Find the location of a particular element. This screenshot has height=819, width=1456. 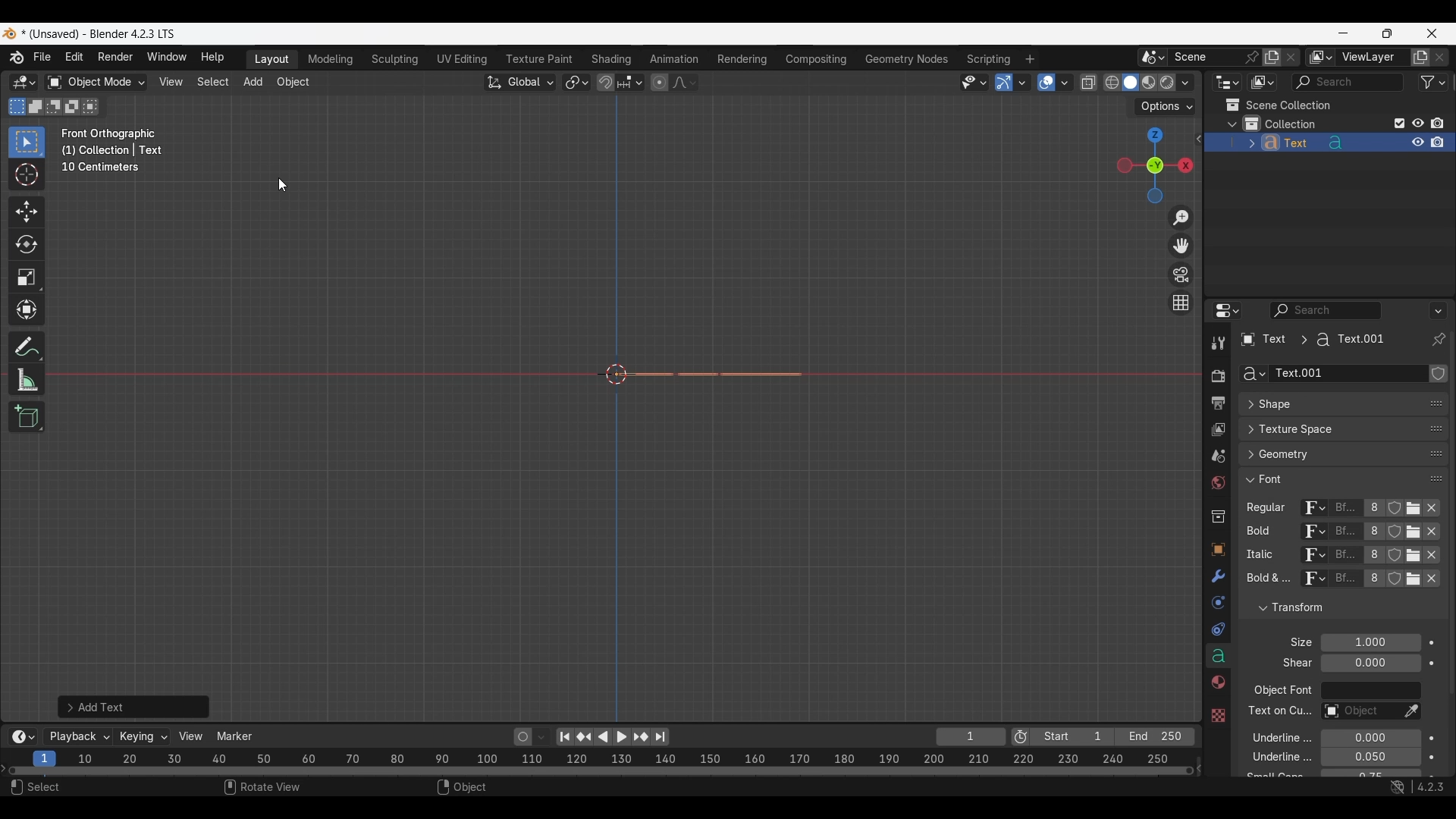

Open Font for respective attribute is located at coordinates (1414, 544).